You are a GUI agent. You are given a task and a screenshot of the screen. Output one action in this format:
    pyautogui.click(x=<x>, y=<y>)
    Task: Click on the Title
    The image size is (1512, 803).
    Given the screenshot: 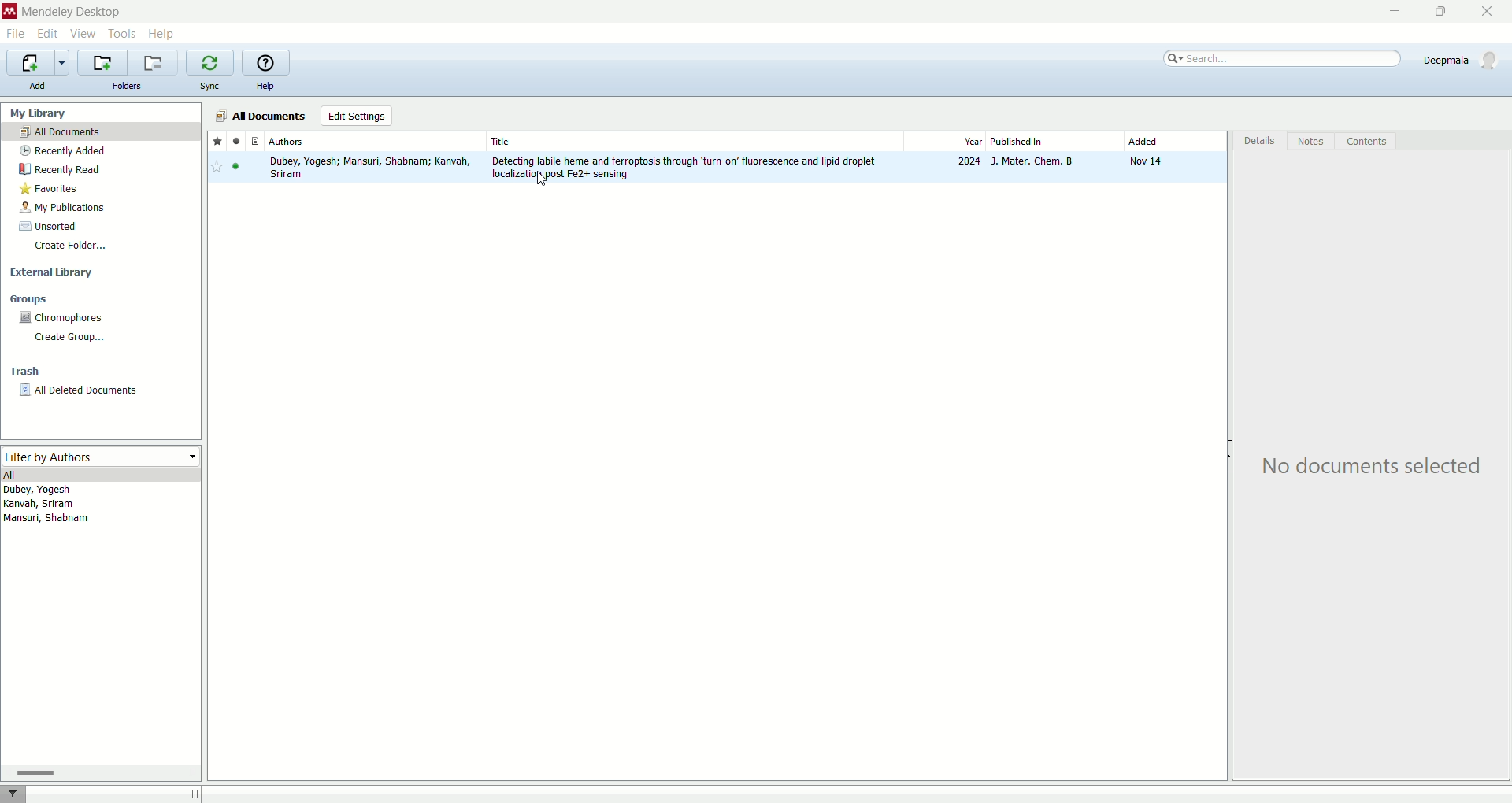 What is the action you would take?
    pyautogui.click(x=695, y=141)
    